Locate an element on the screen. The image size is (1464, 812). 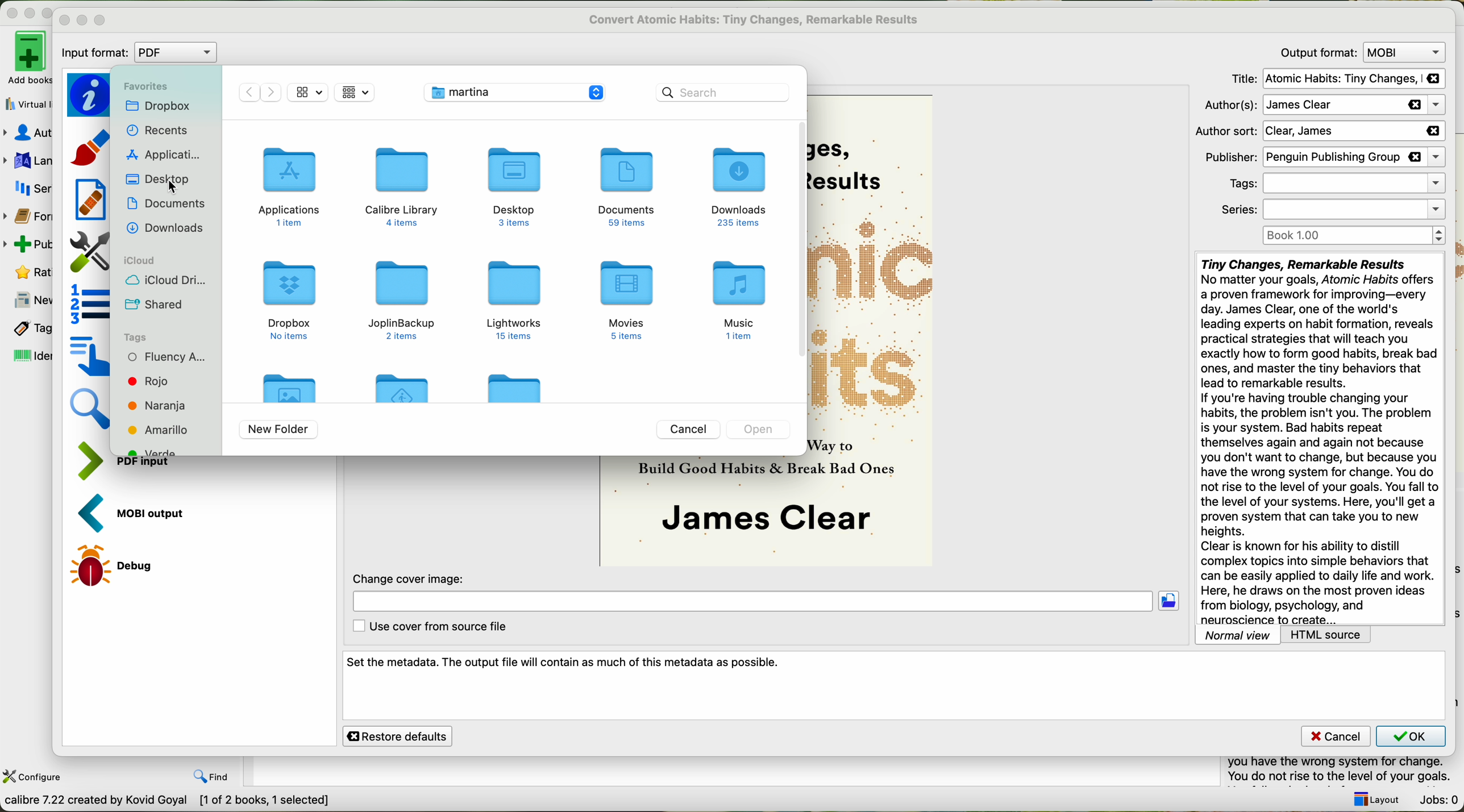
lightworks is located at coordinates (512, 298).